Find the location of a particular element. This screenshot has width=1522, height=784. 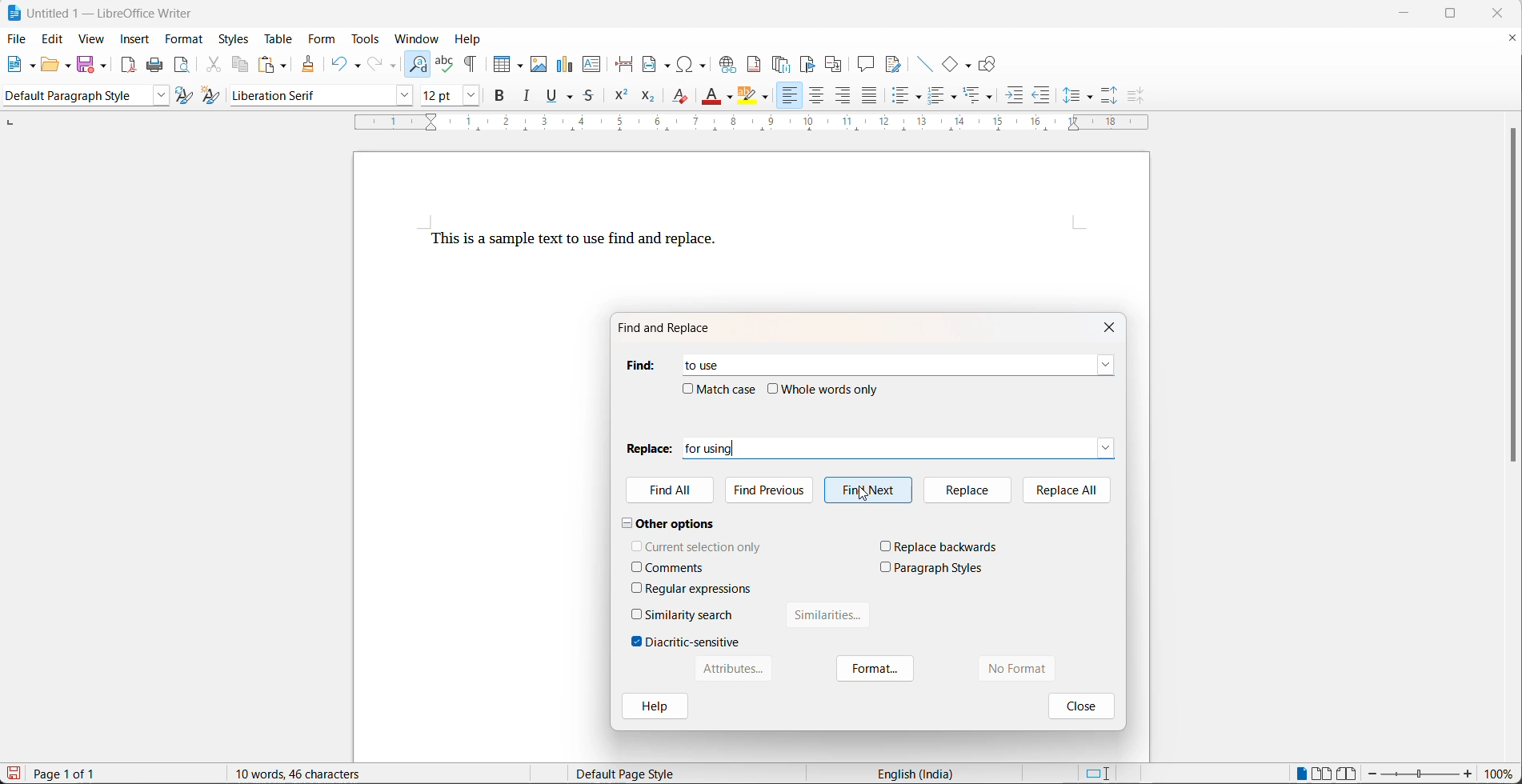

checkbox is located at coordinates (774, 389).